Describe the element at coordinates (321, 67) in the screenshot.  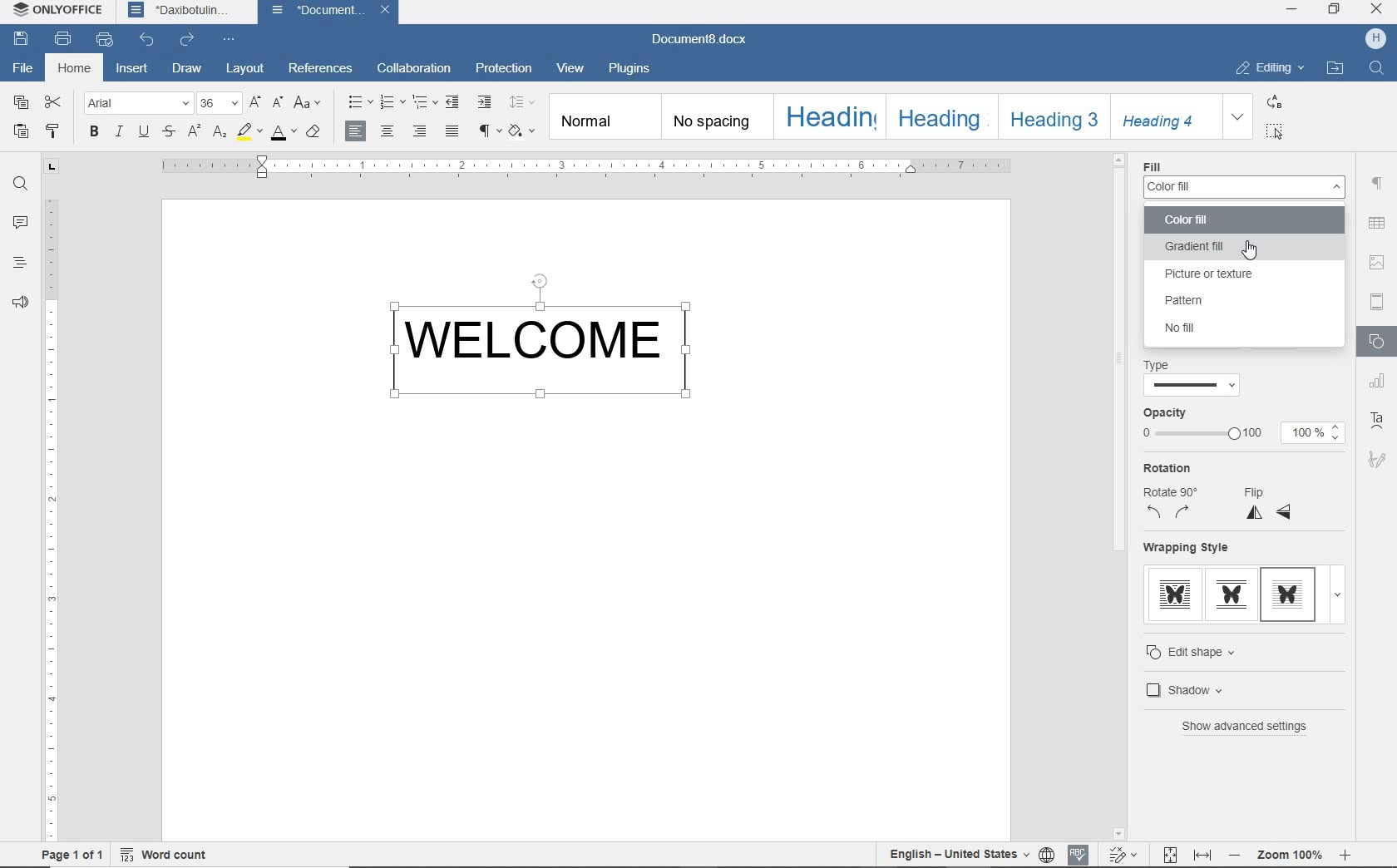
I see `REFERENCES` at that location.